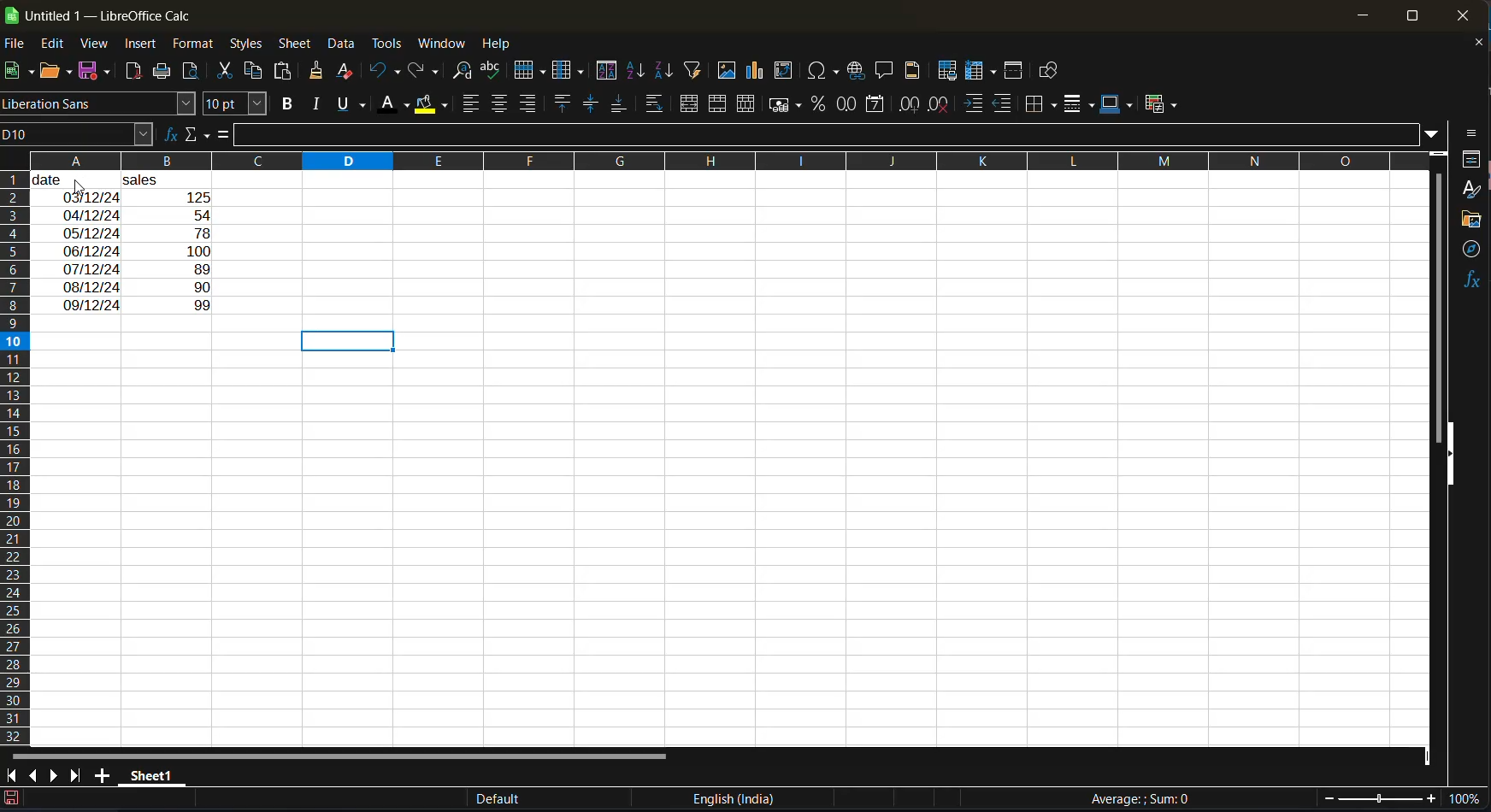 The height and width of the screenshot is (812, 1491). Describe the element at coordinates (100, 13) in the screenshot. I see `app name and file name` at that location.